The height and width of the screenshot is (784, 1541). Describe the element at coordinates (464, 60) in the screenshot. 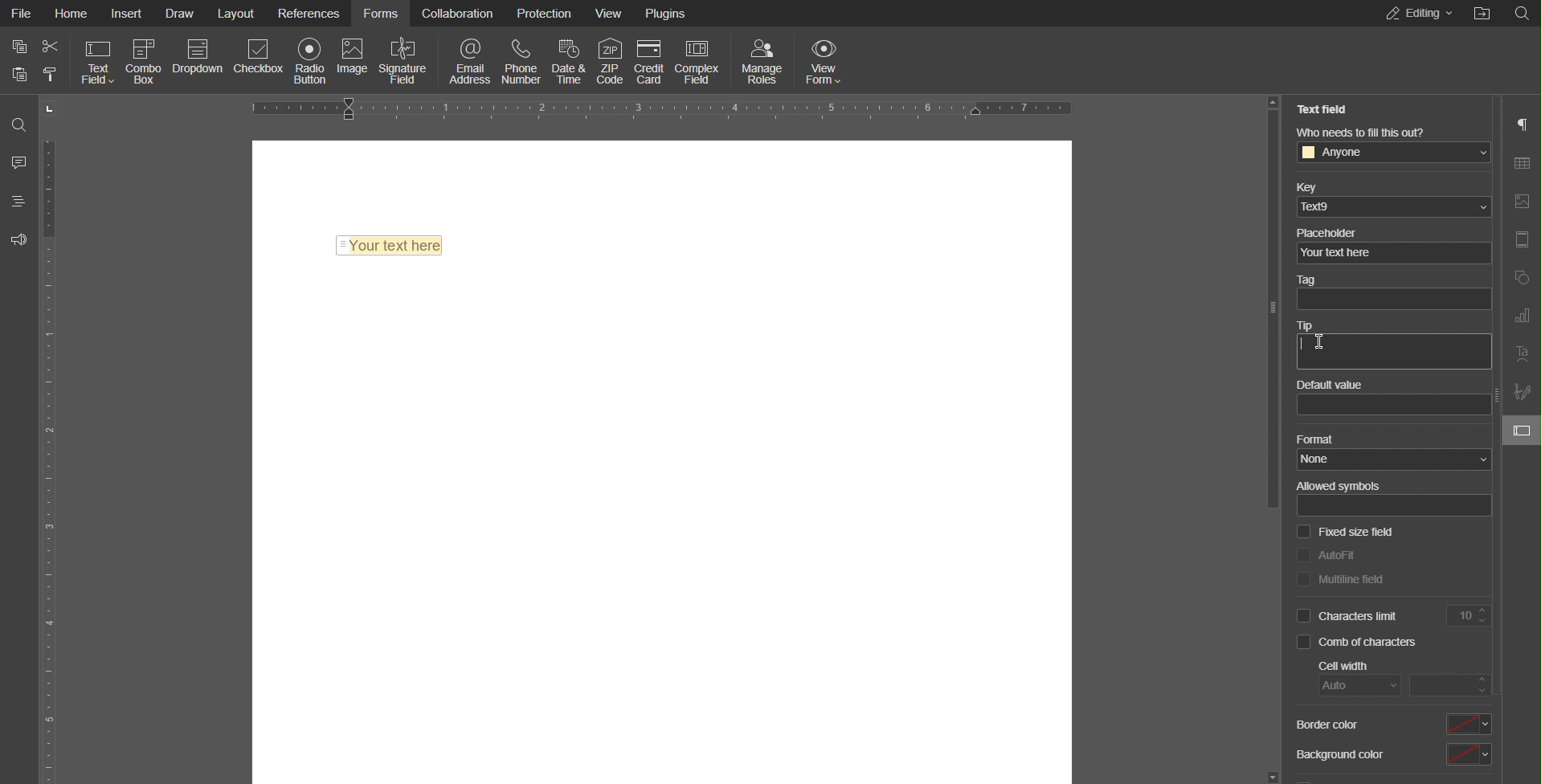

I see `Email Address` at that location.